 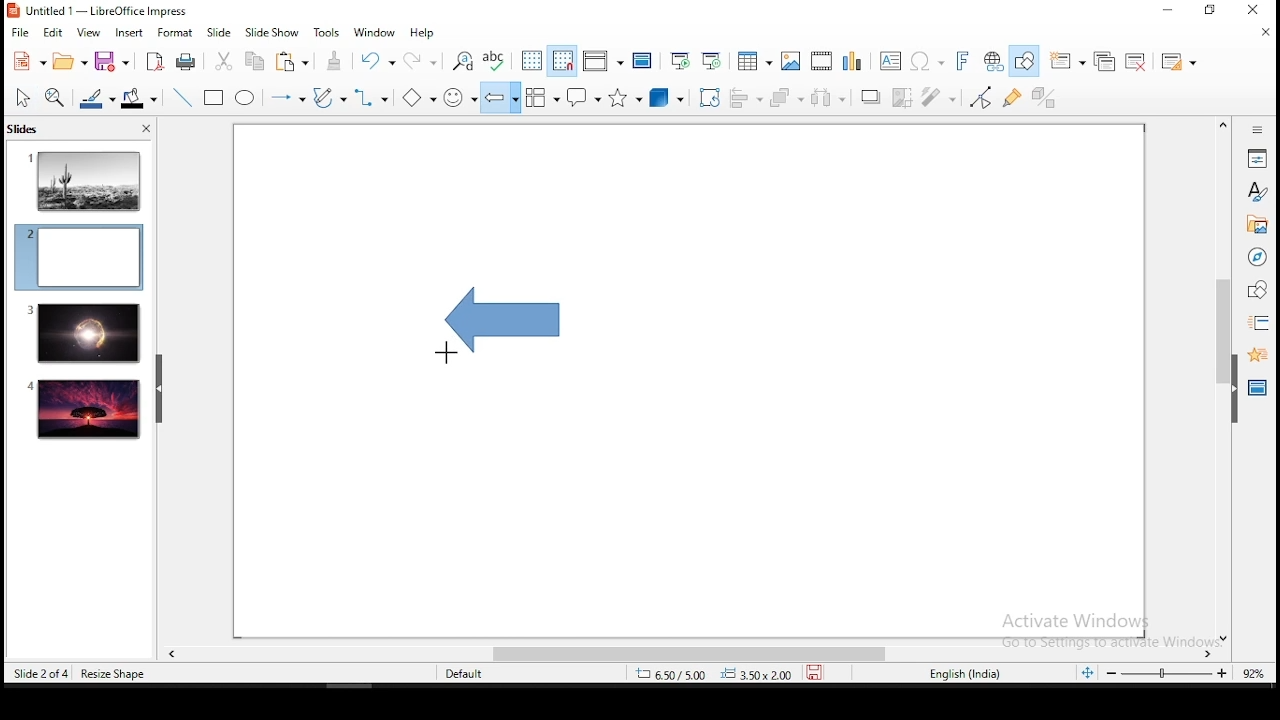 I want to click on rectangle, so click(x=215, y=99).